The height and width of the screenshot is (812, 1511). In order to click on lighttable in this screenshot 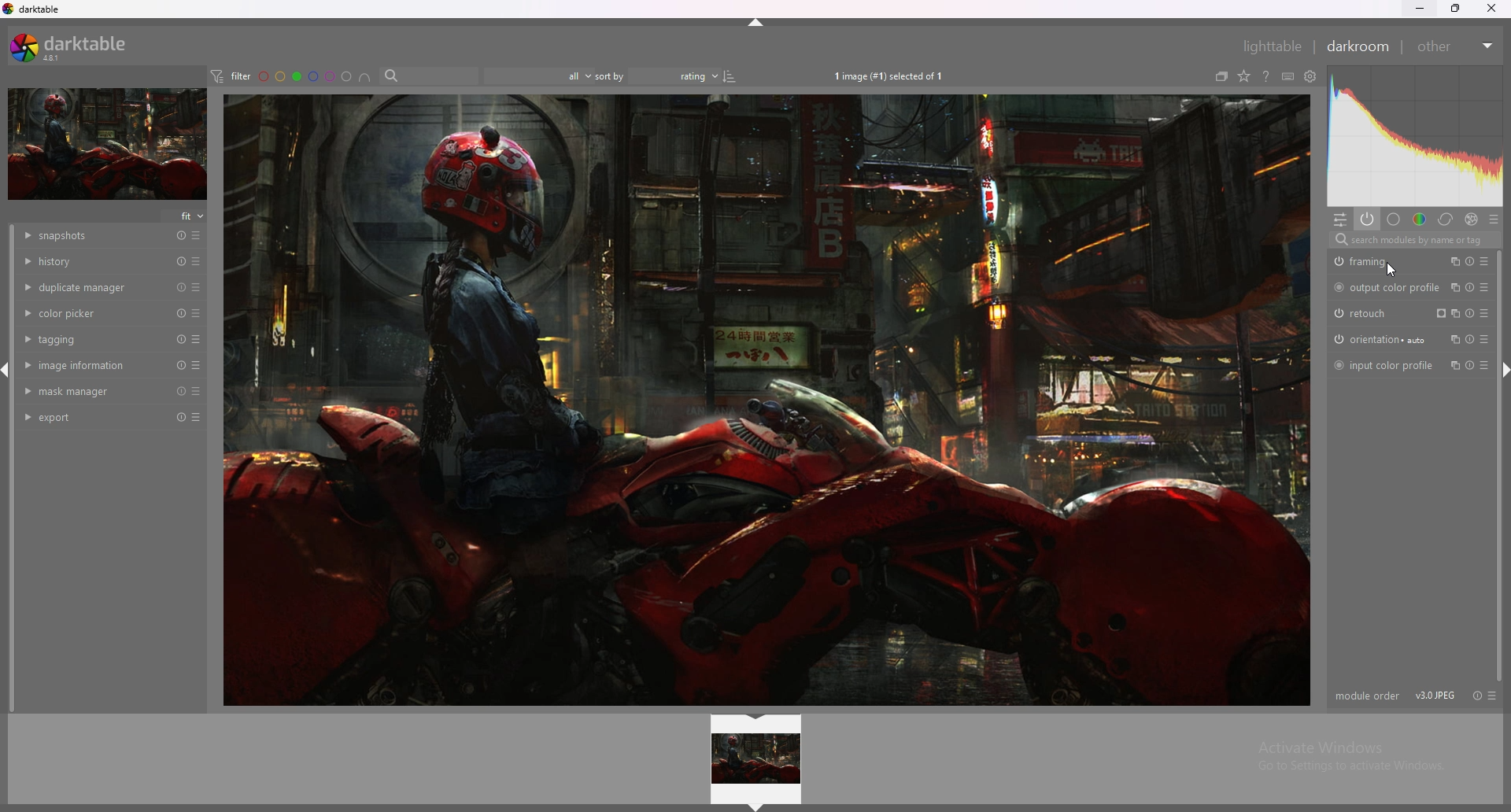, I will do `click(1264, 46)`.